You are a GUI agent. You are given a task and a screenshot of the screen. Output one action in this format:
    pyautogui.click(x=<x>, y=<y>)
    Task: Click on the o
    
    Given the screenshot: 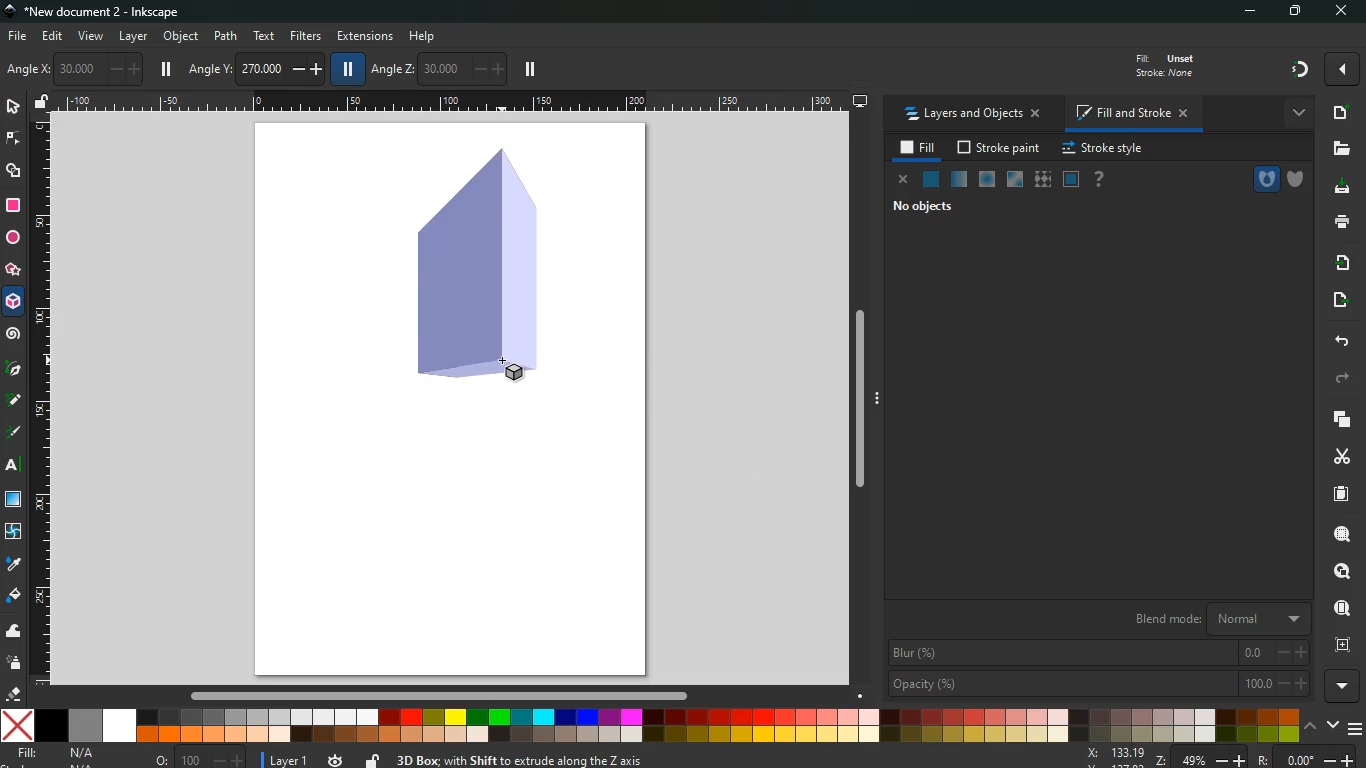 What is the action you would take?
    pyautogui.click(x=196, y=758)
    